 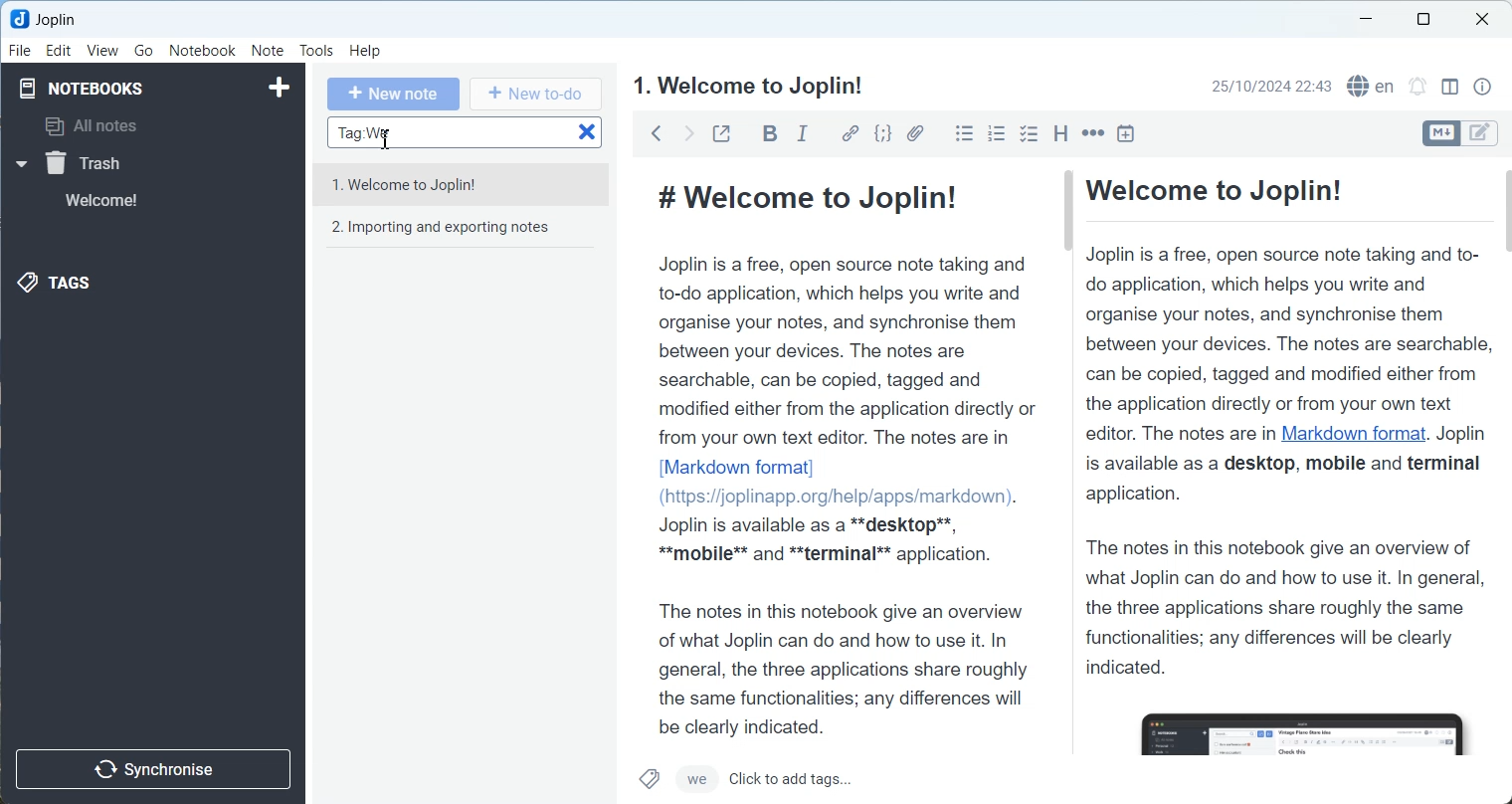 I want to click on Insert time, so click(x=1126, y=132).